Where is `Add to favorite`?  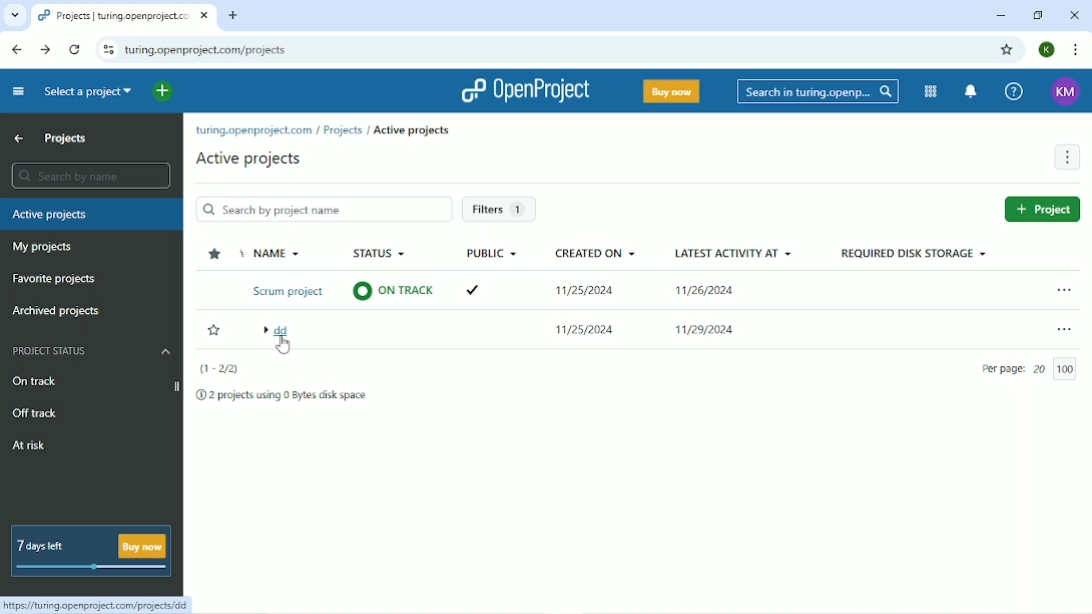 Add to favorite is located at coordinates (215, 332).